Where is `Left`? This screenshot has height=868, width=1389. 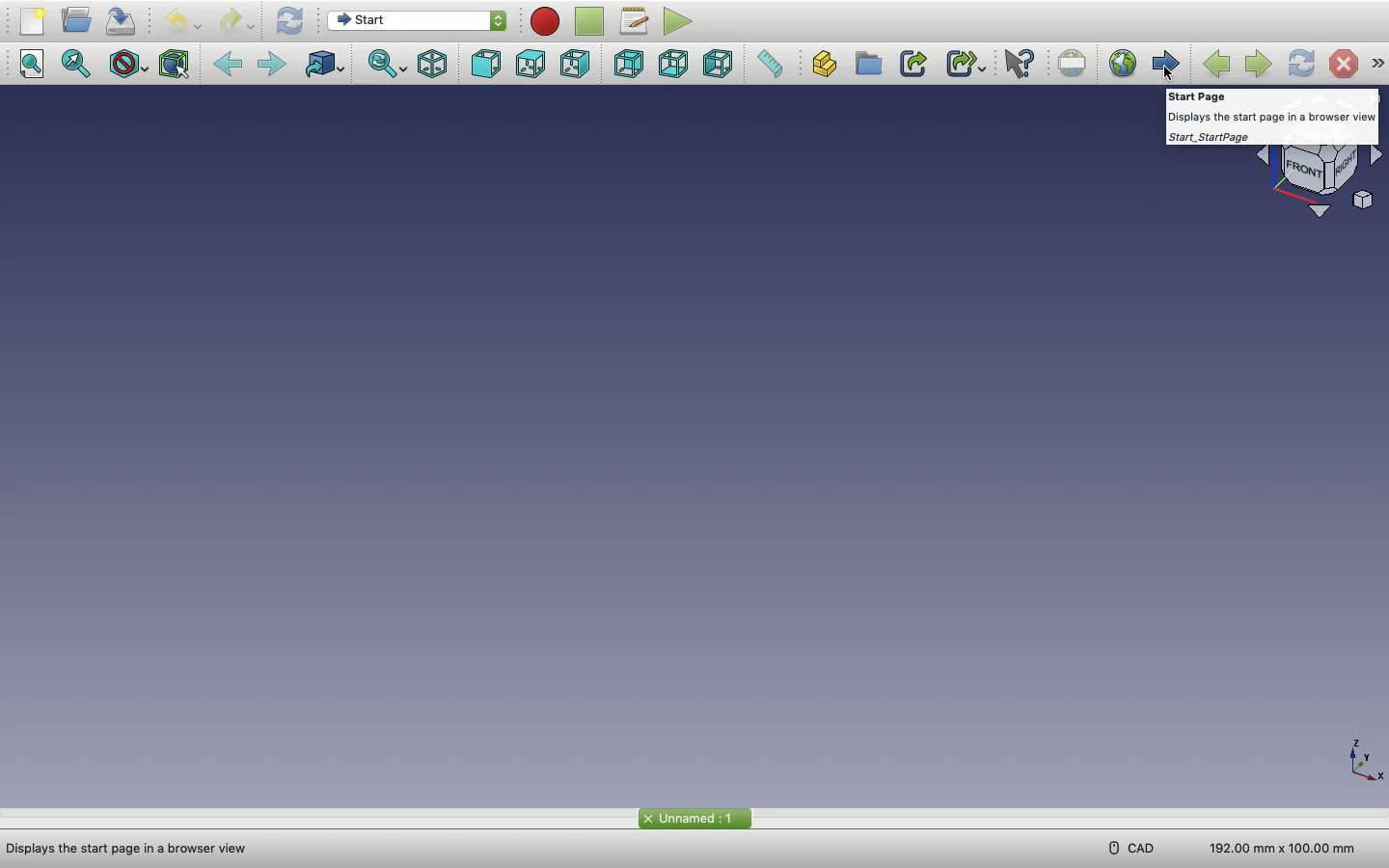 Left is located at coordinates (721, 65).